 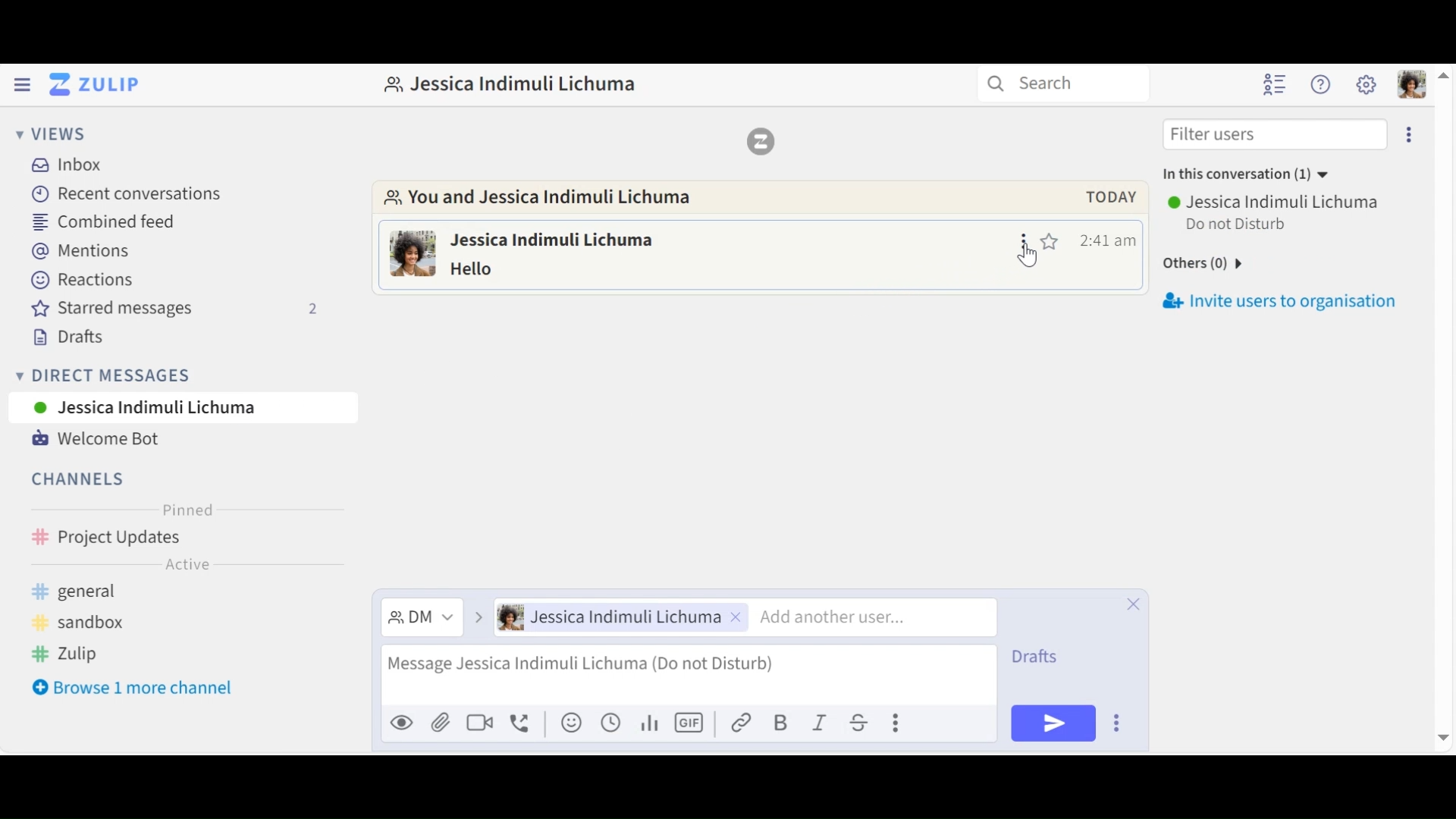 I want to click on Compose Message, so click(x=688, y=677).